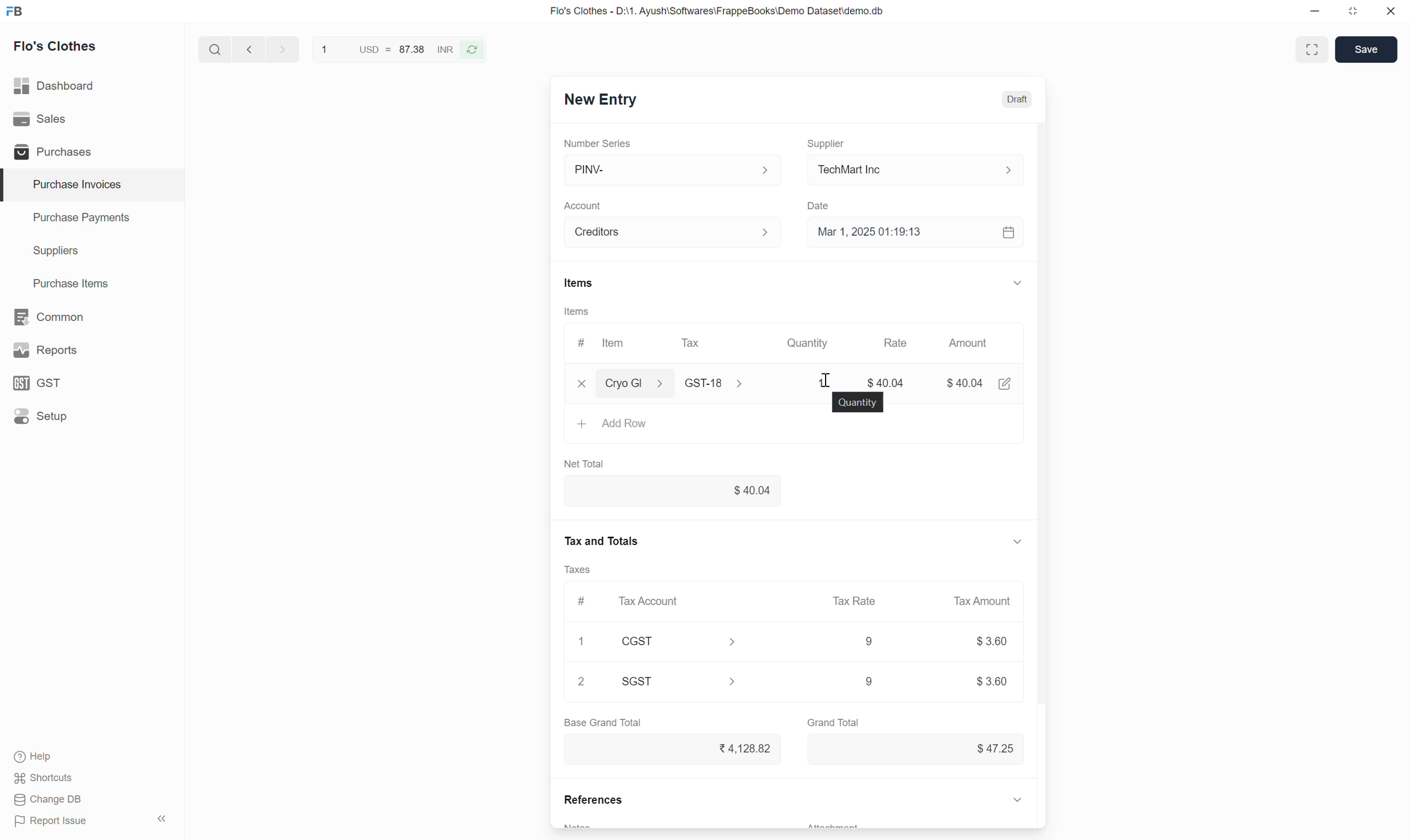 This screenshot has width=1410, height=840. What do you see at coordinates (835, 721) in the screenshot?
I see `Grand Total` at bounding box center [835, 721].